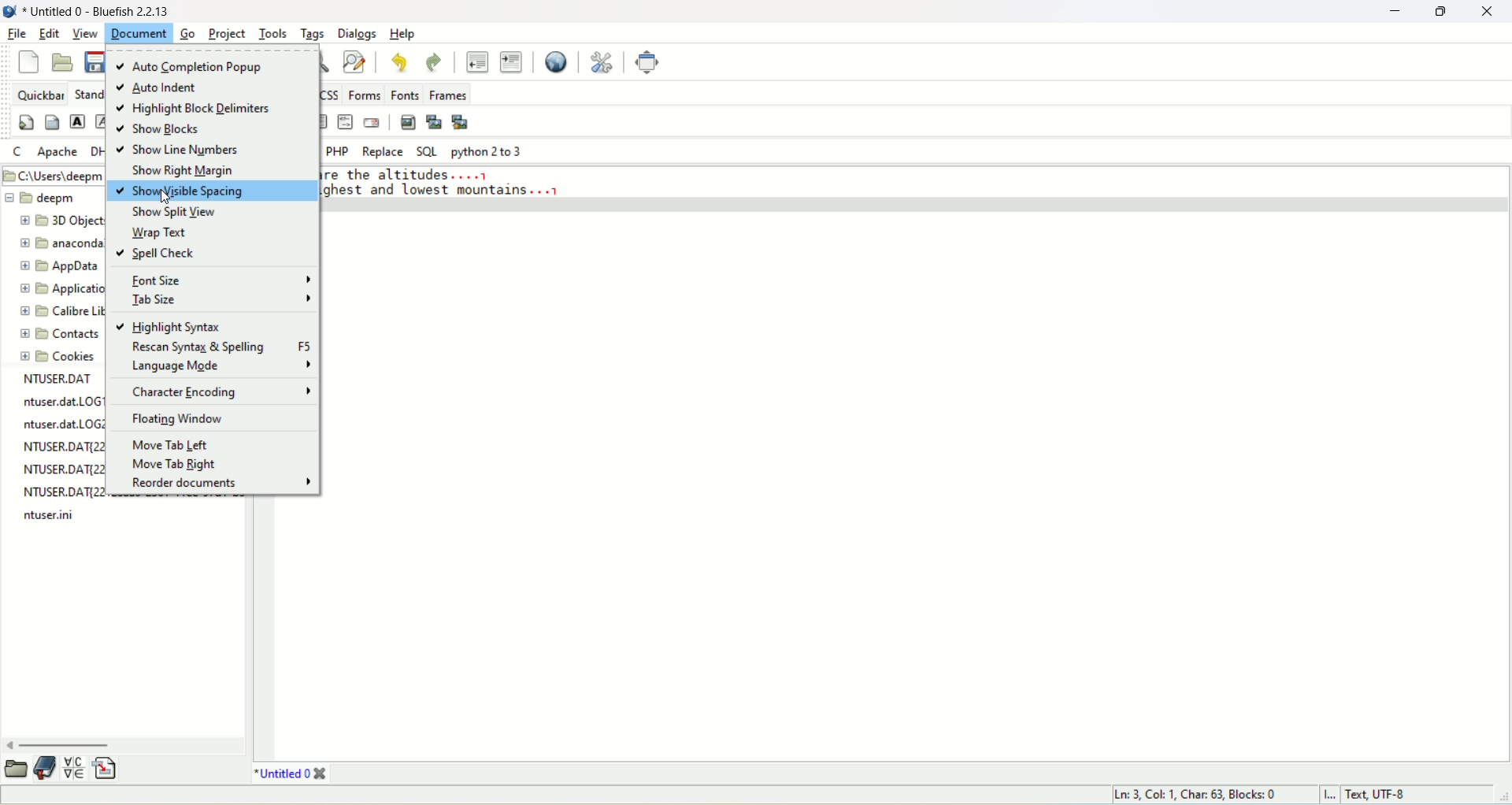  Describe the element at coordinates (48, 768) in the screenshot. I see `documentation` at that location.